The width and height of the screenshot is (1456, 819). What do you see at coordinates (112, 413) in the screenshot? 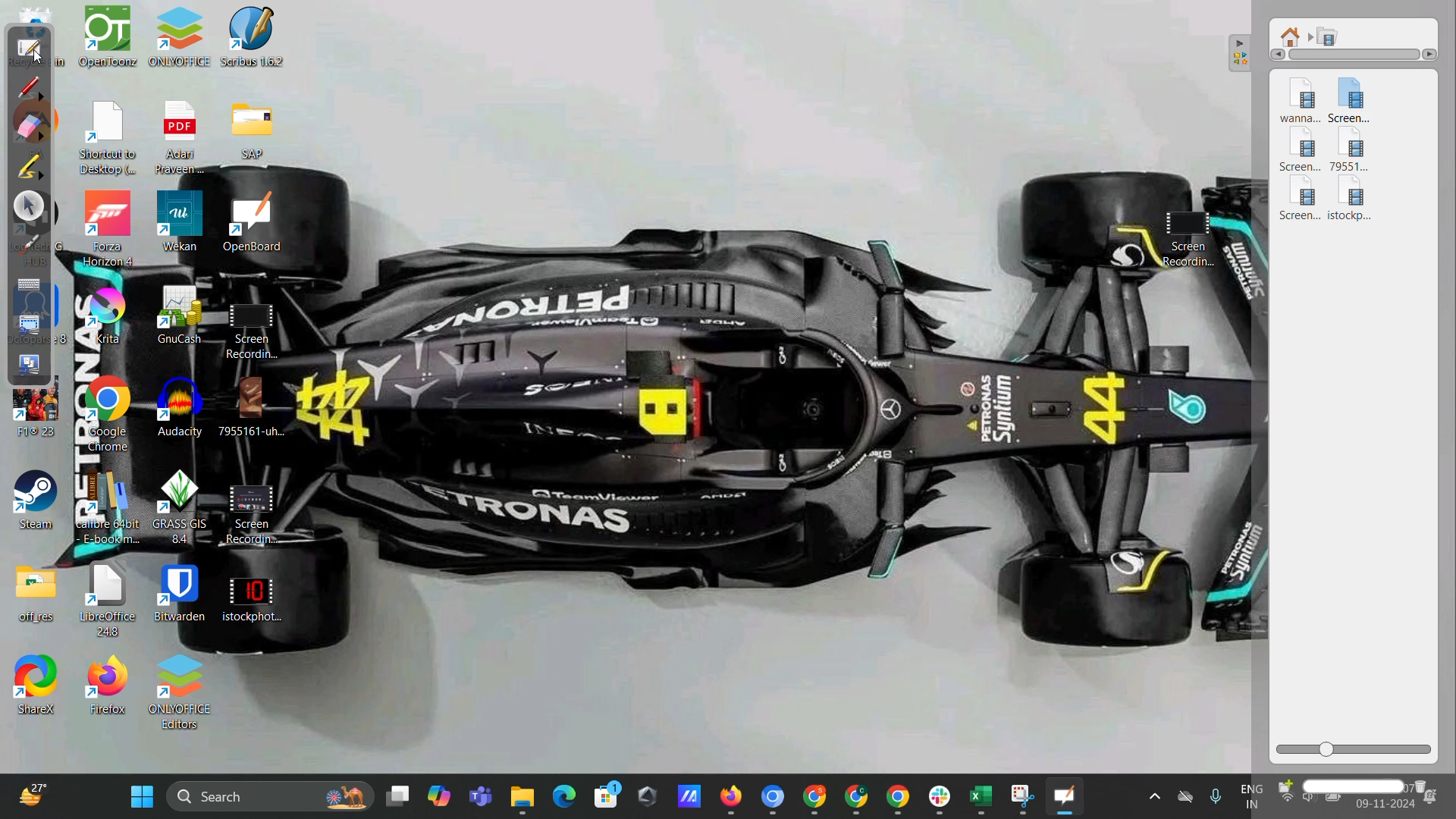
I see `Google Chrome` at bounding box center [112, 413].